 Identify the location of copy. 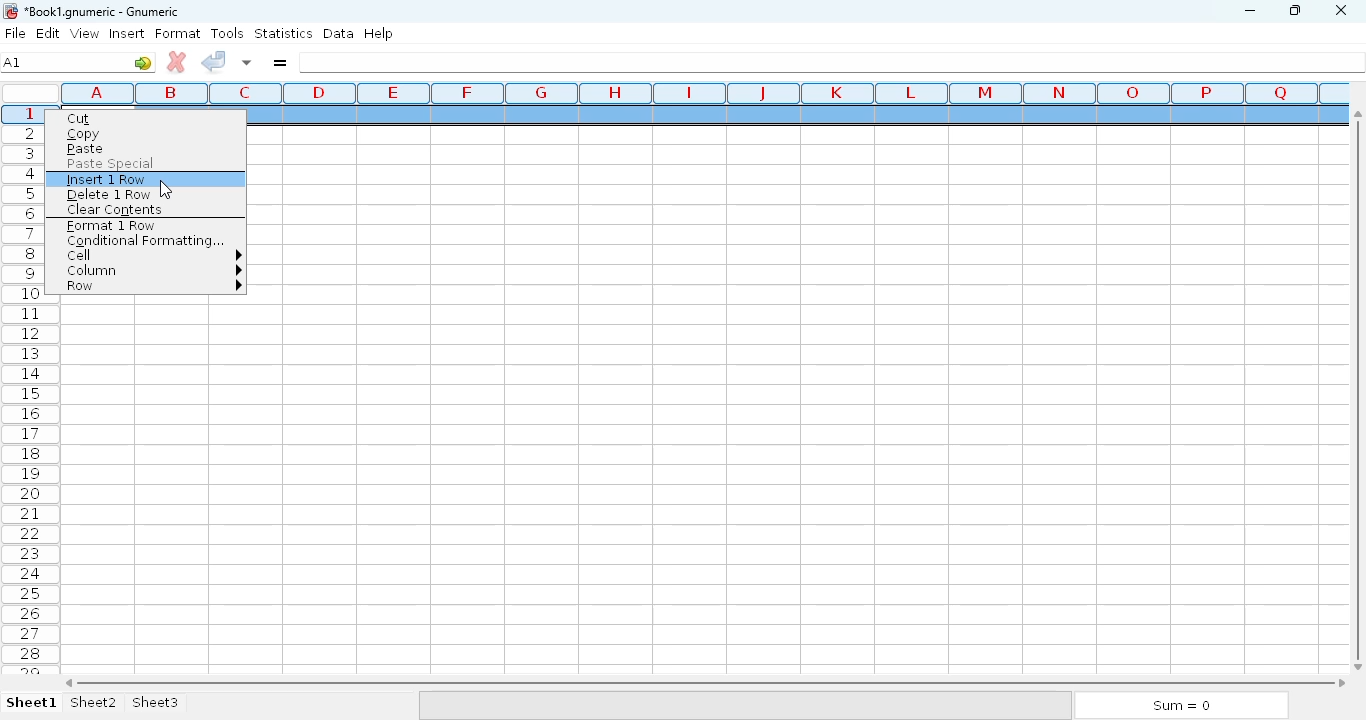
(85, 135).